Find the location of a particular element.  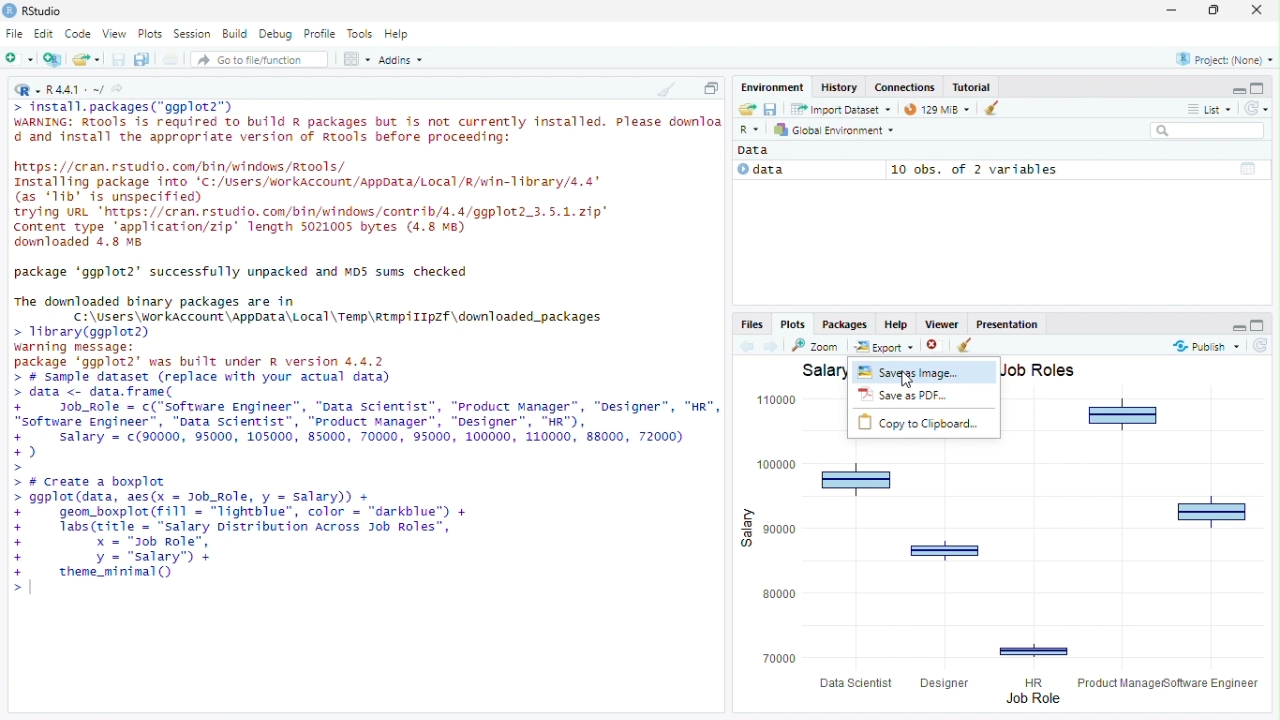

Session is located at coordinates (193, 35).